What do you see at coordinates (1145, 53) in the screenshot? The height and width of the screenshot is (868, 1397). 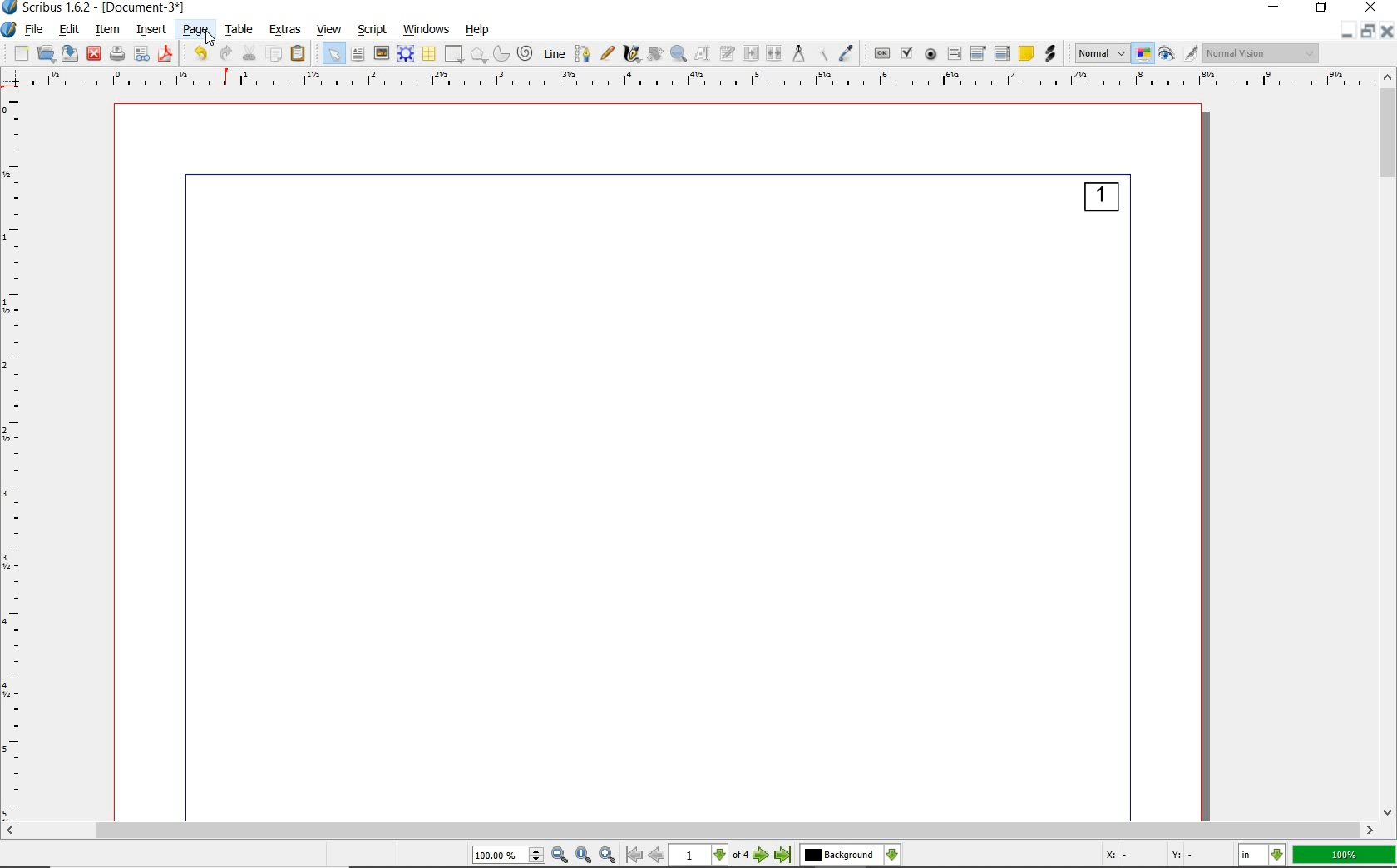 I see `toggle color management` at bounding box center [1145, 53].